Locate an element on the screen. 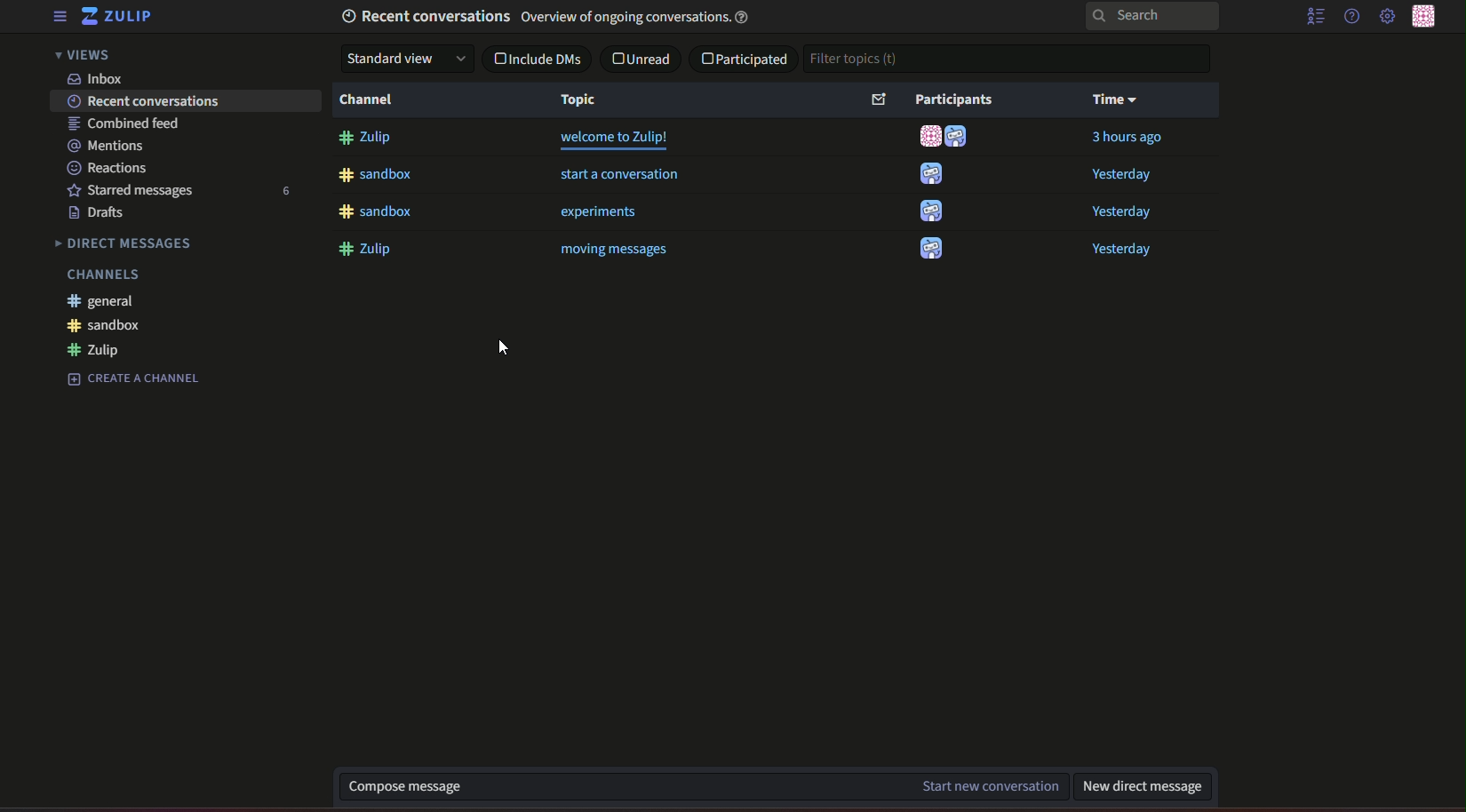 The width and height of the screenshot is (1466, 812). Include dms checkbox is located at coordinates (535, 60).